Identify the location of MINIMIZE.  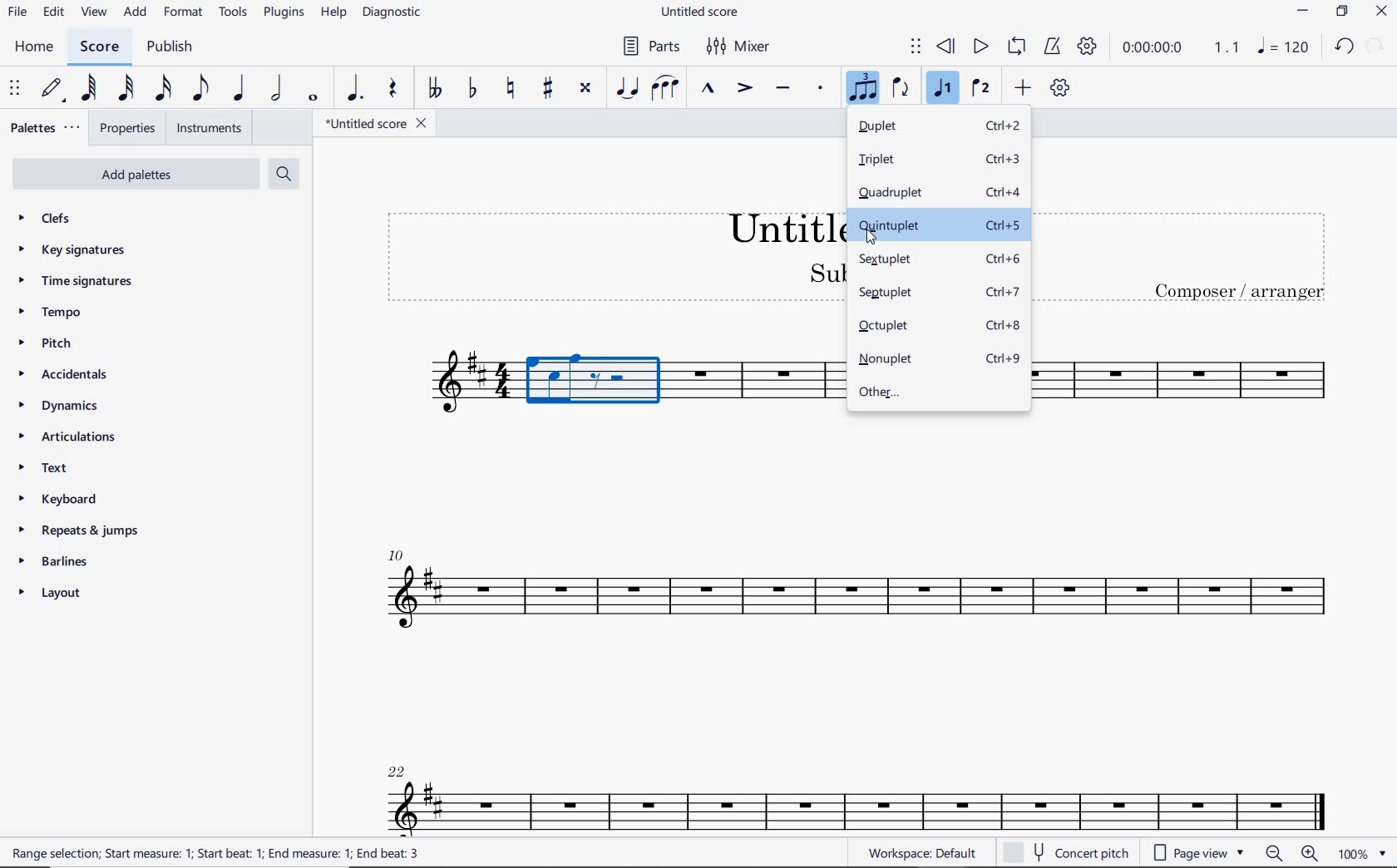
(1306, 12).